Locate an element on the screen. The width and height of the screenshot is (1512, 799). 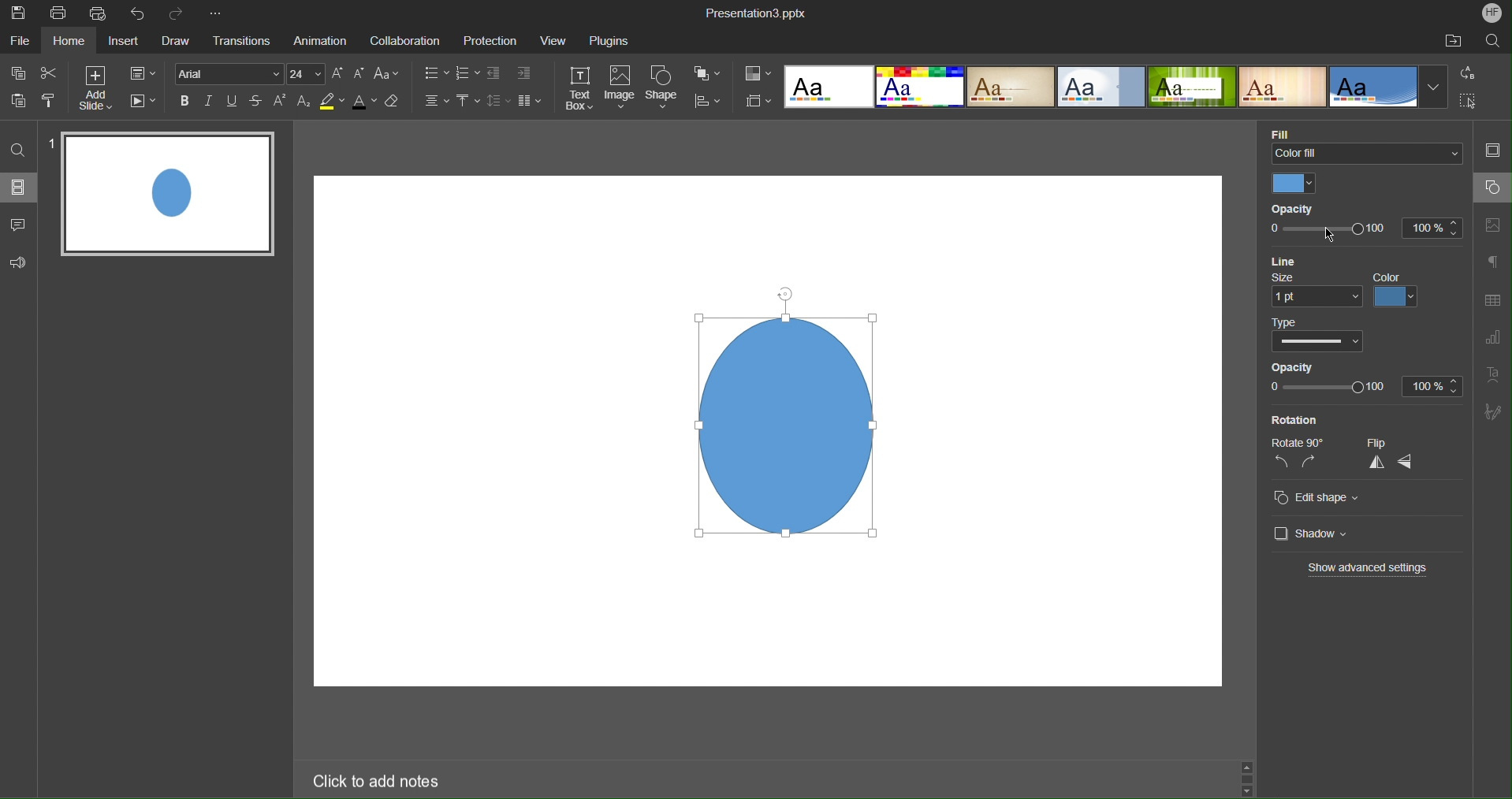
Image is located at coordinates (783, 413).